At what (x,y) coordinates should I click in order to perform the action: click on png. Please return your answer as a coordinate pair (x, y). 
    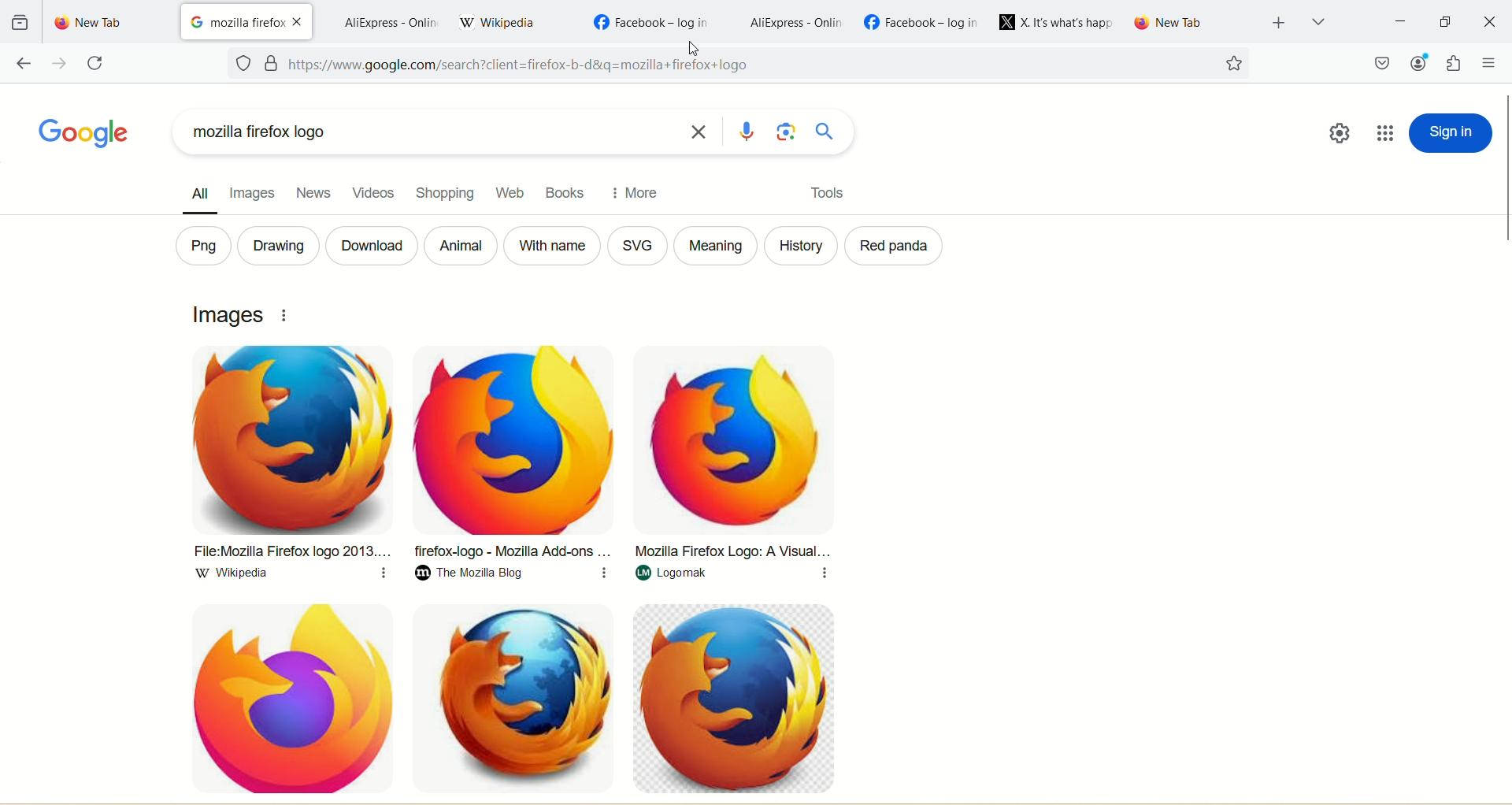
    Looking at the image, I should click on (198, 244).